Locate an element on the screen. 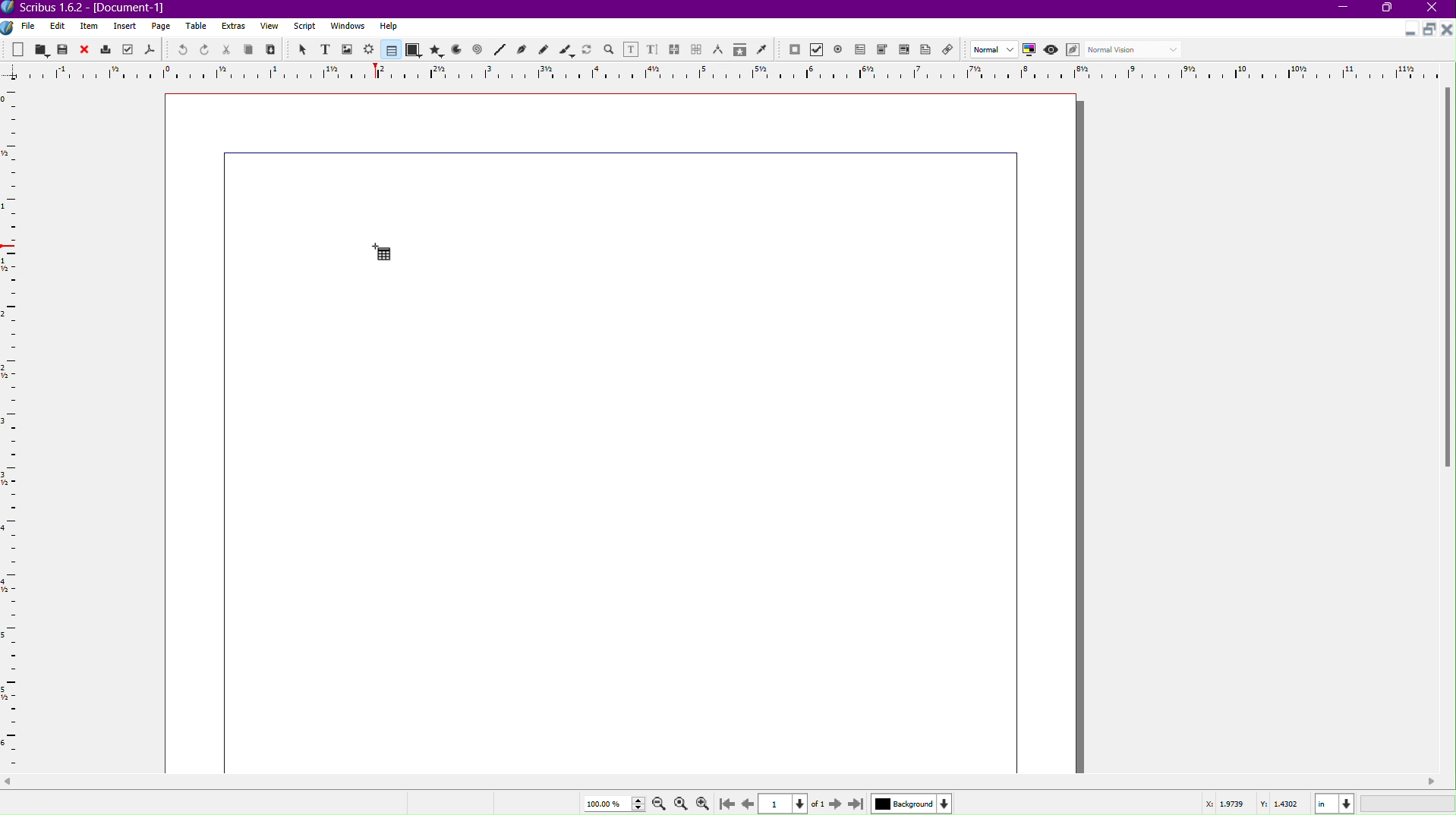 The image size is (1456, 815). Logo is located at coordinates (9, 27).